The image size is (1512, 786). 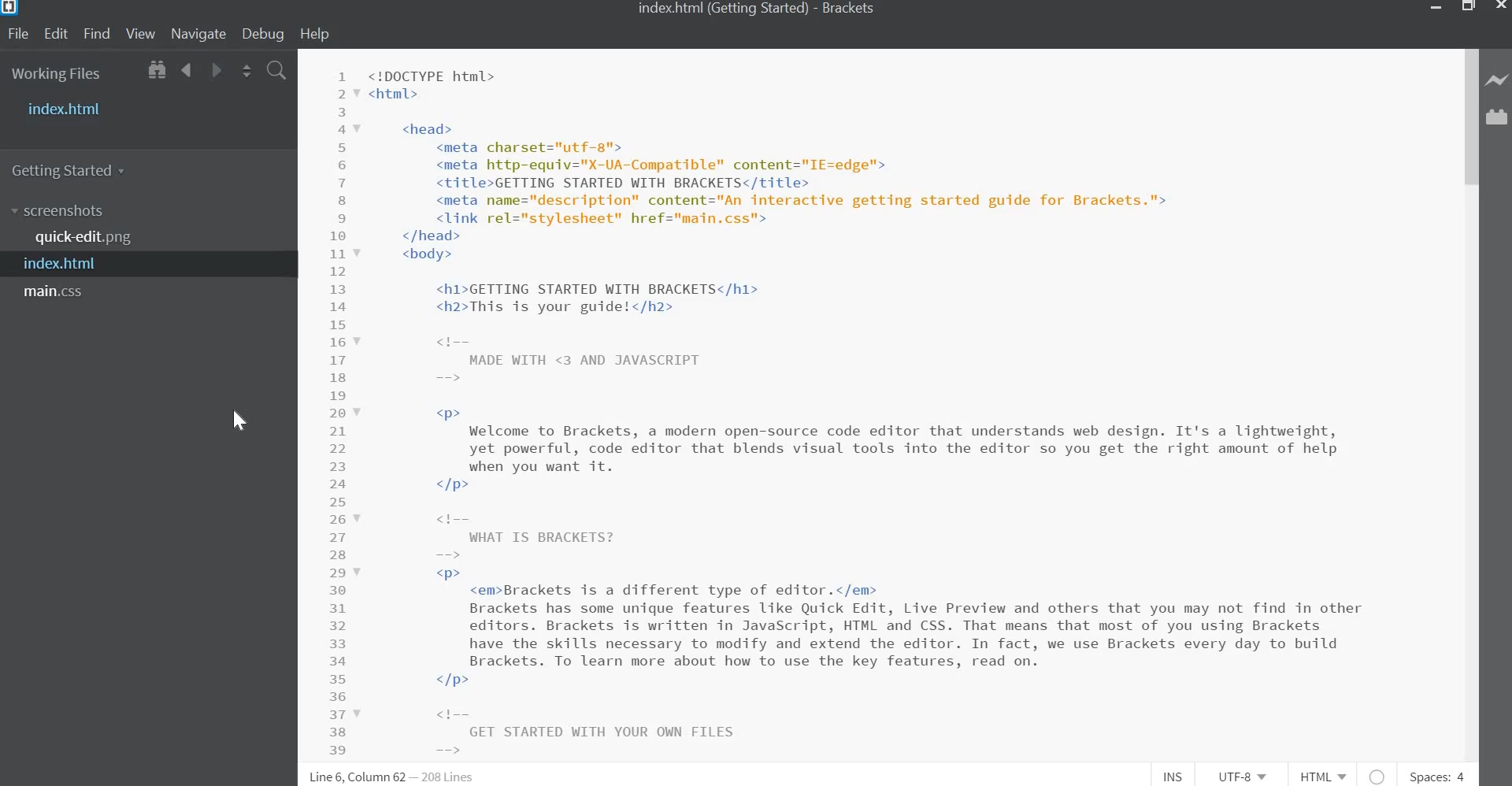 I want to click on Find, so click(x=96, y=34).